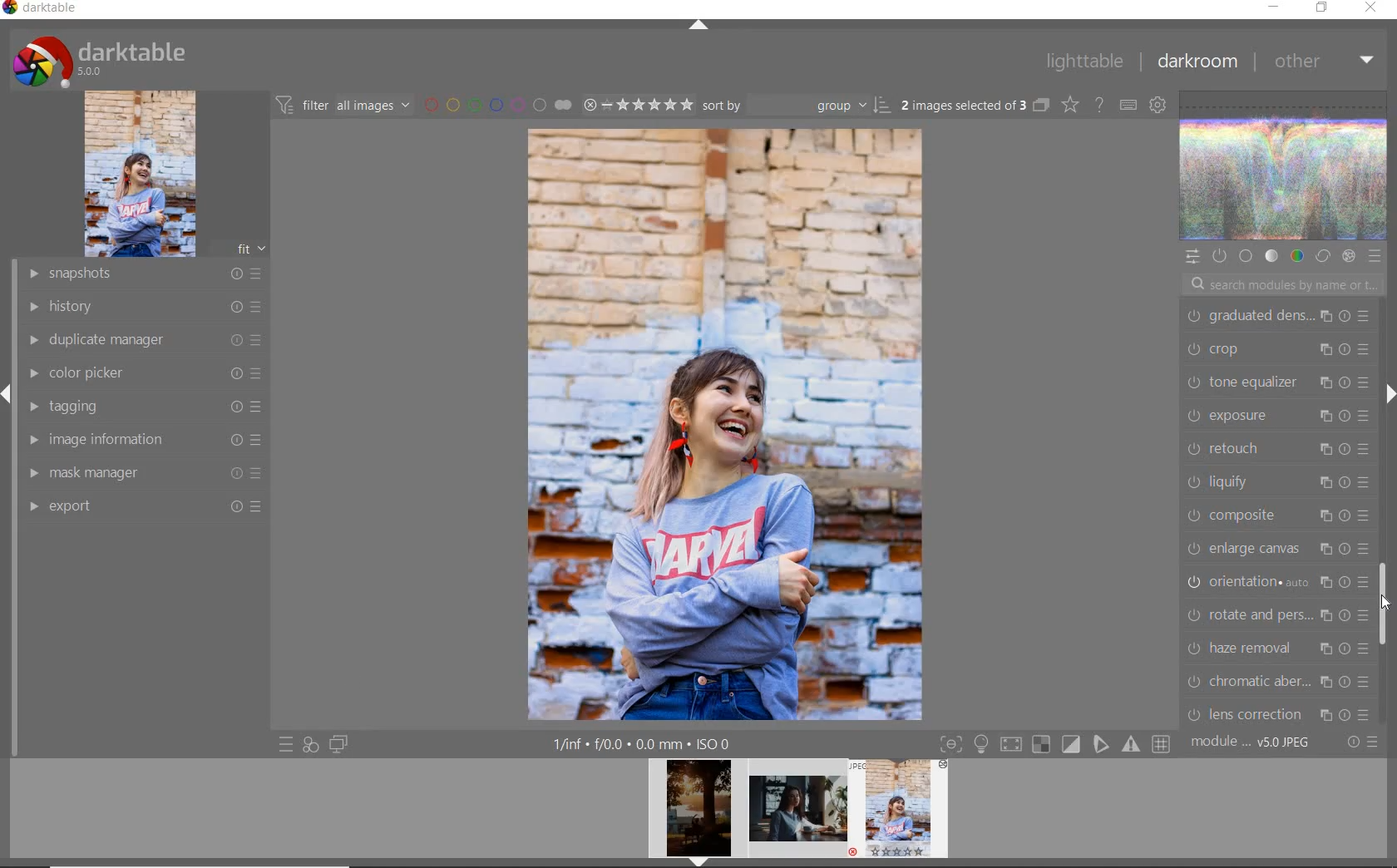  What do you see at coordinates (1069, 104) in the screenshot?
I see `CHANGE TYPE OF OVERLAYS` at bounding box center [1069, 104].